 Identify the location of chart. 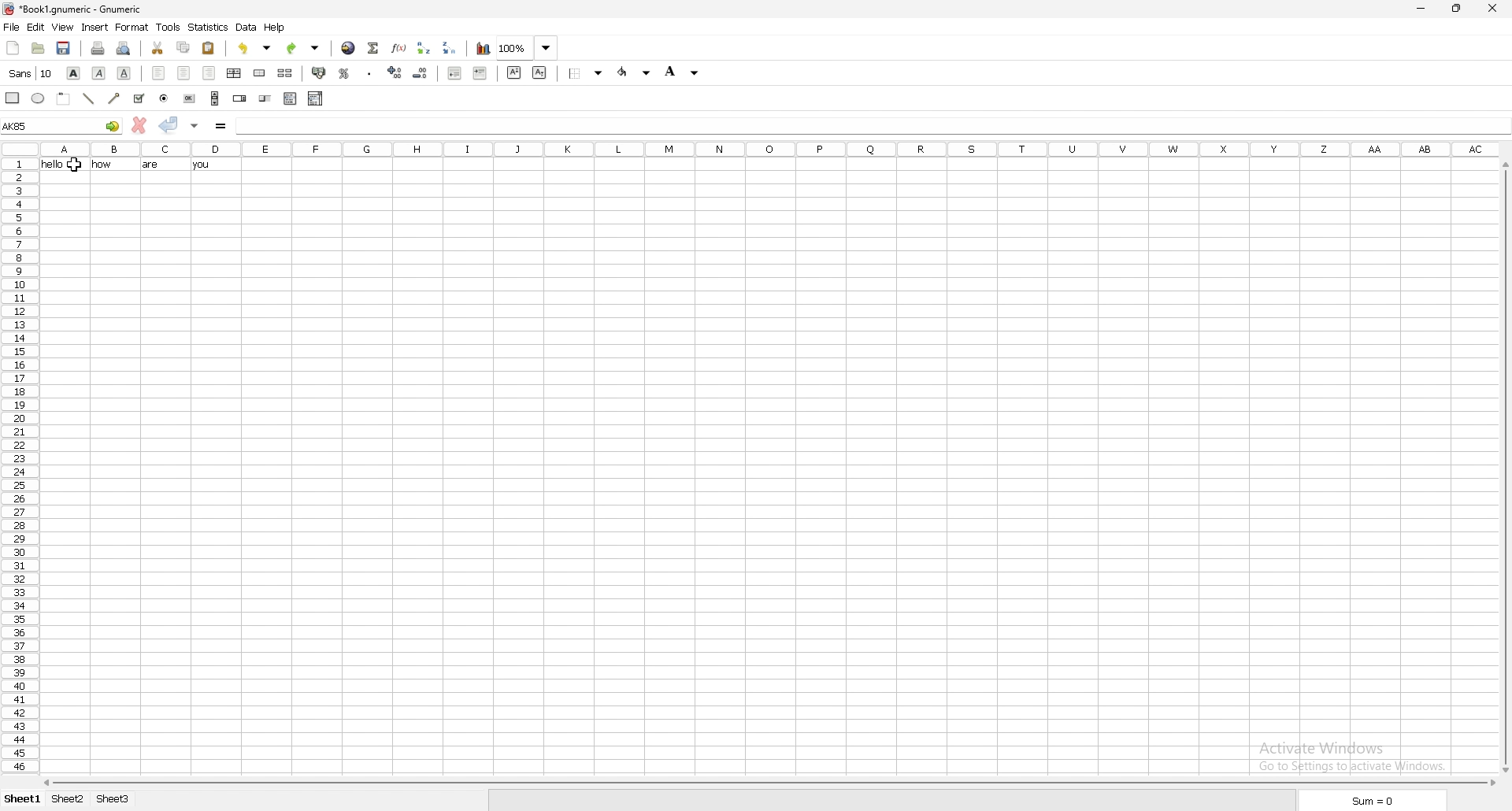
(484, 48).